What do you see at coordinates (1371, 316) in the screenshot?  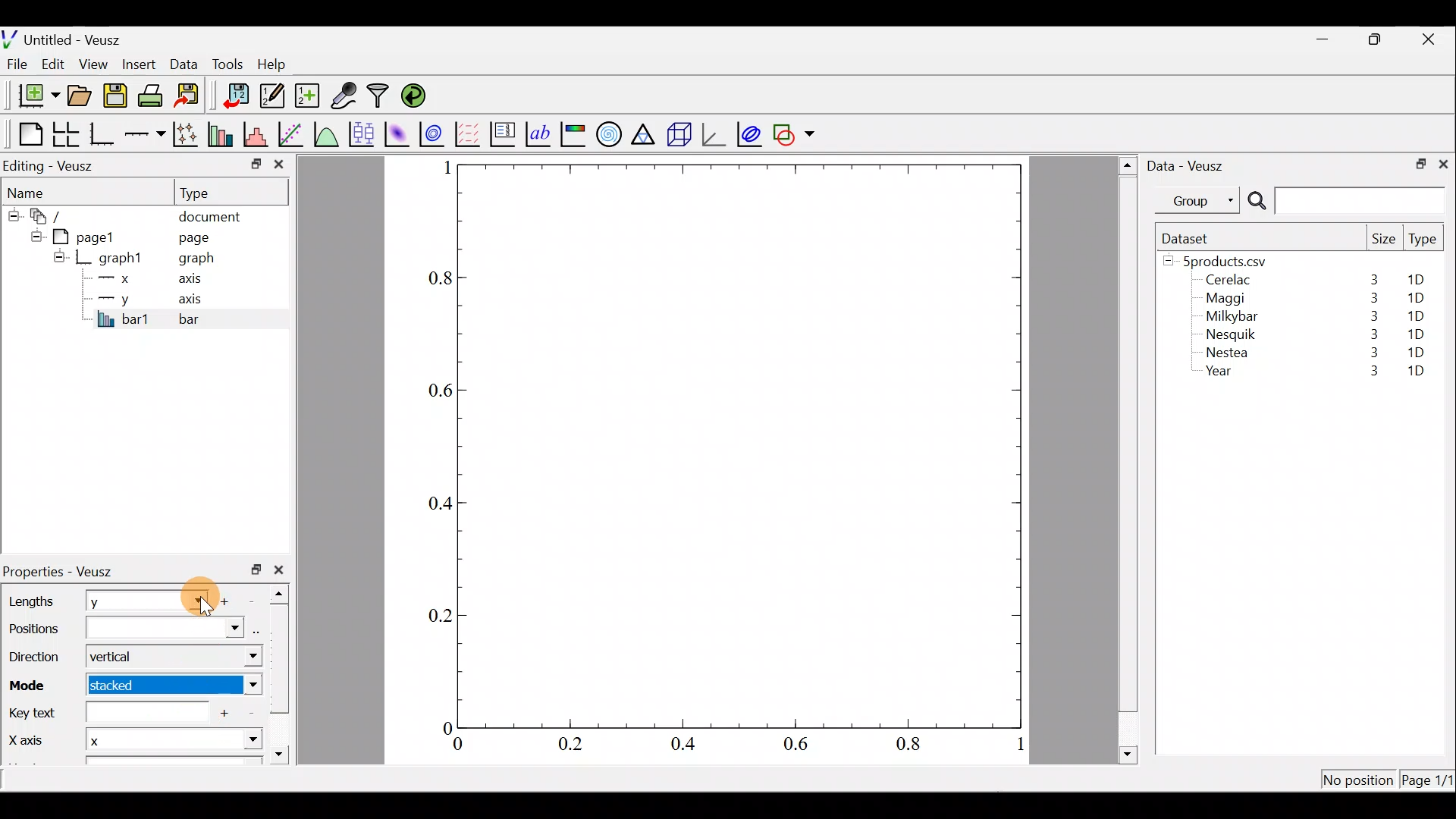 I see `3` at bounding box center [1371, 316].